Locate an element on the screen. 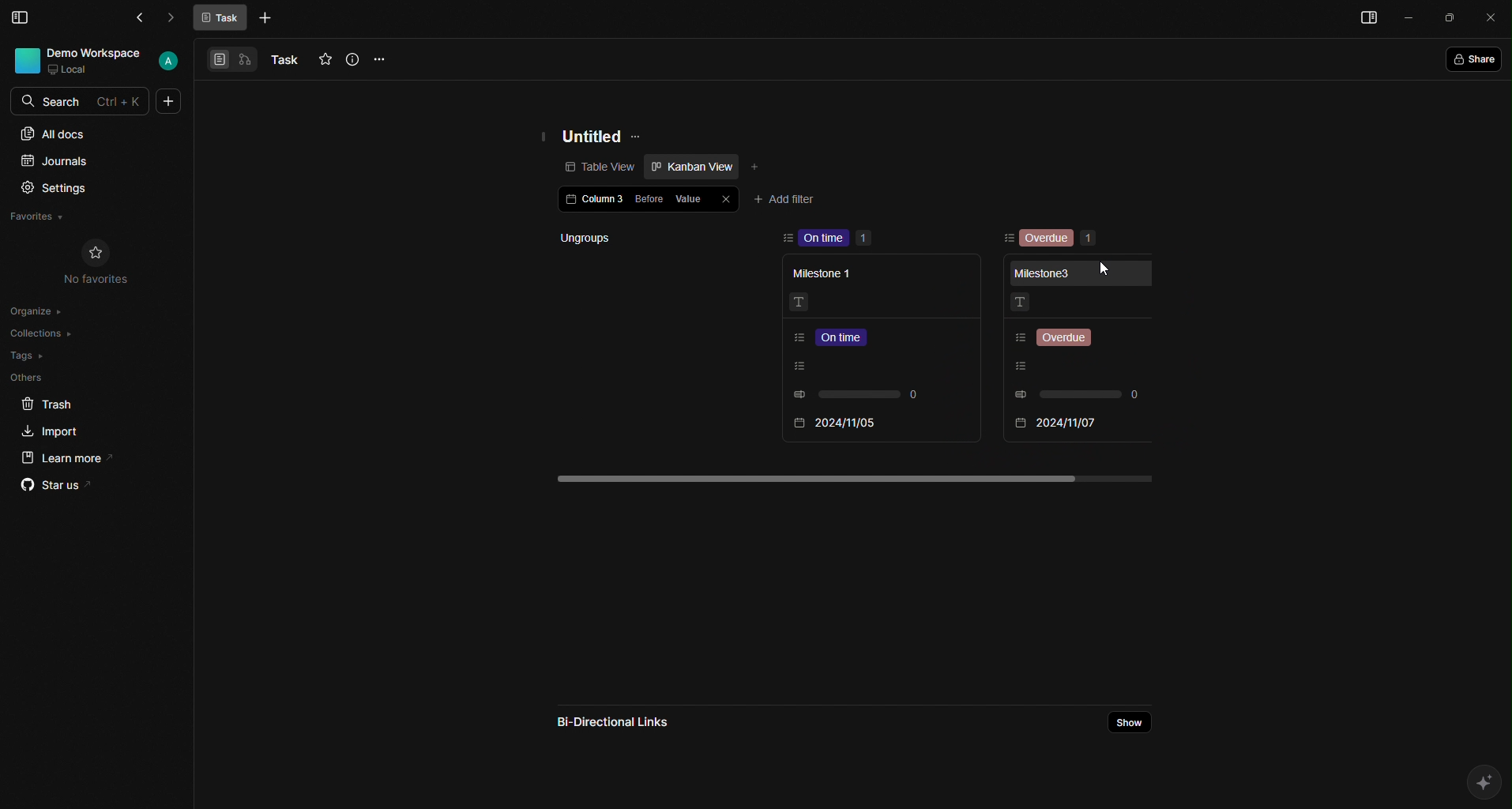  Listing is located at coordinates (851, 366).